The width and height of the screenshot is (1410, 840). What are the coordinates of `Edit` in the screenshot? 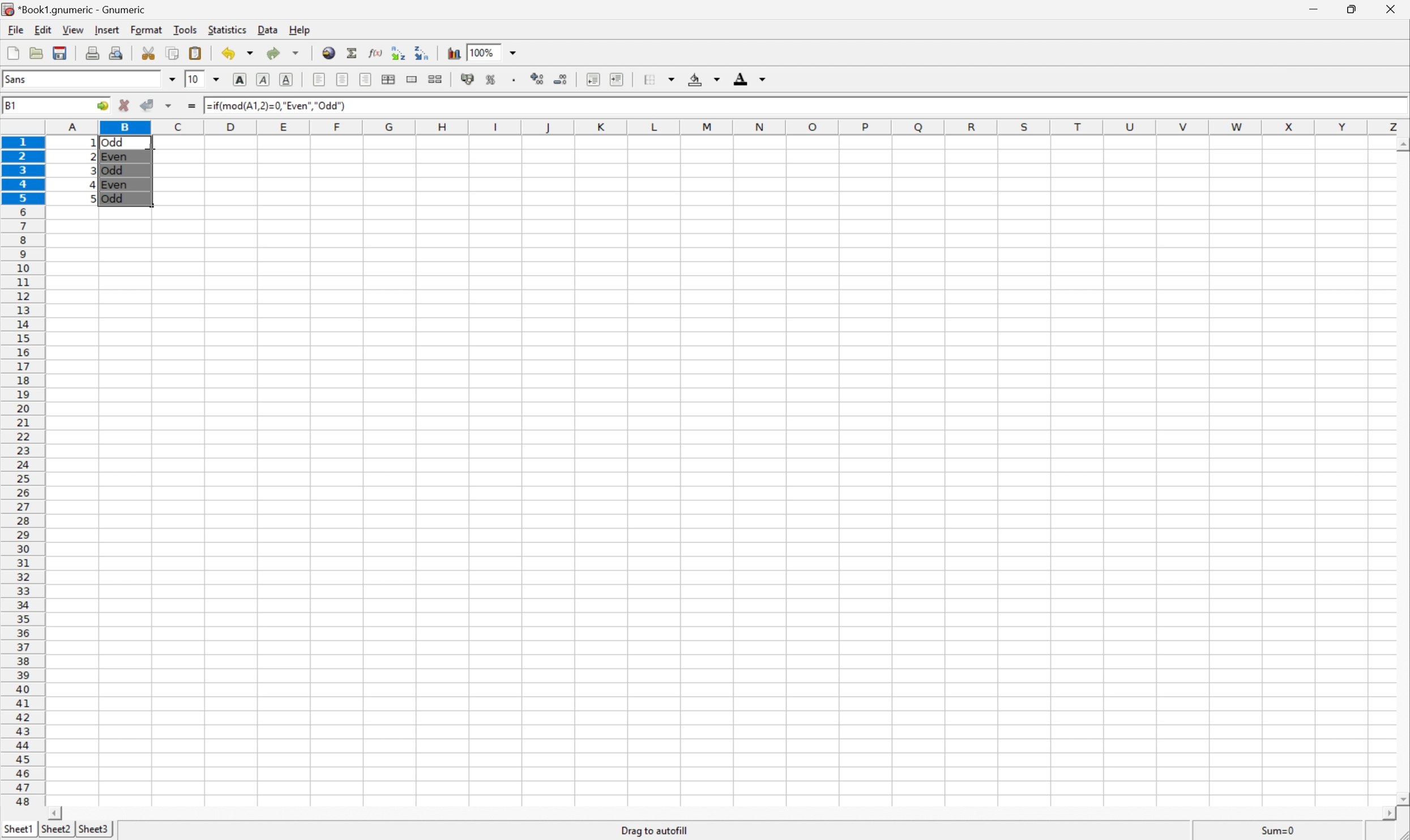 It's located at (44, 29).